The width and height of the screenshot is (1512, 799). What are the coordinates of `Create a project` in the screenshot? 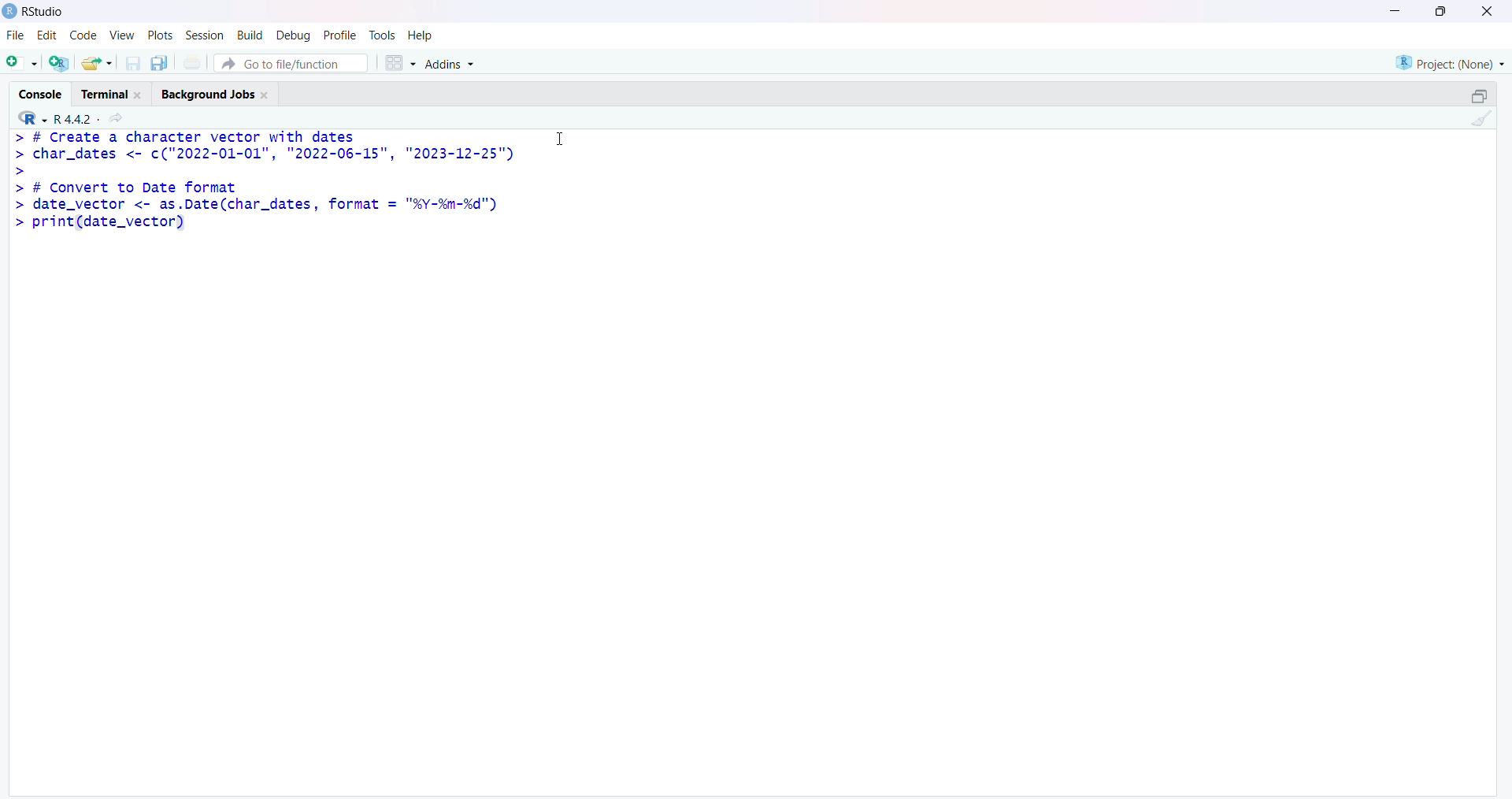 It's located at (62, 61).